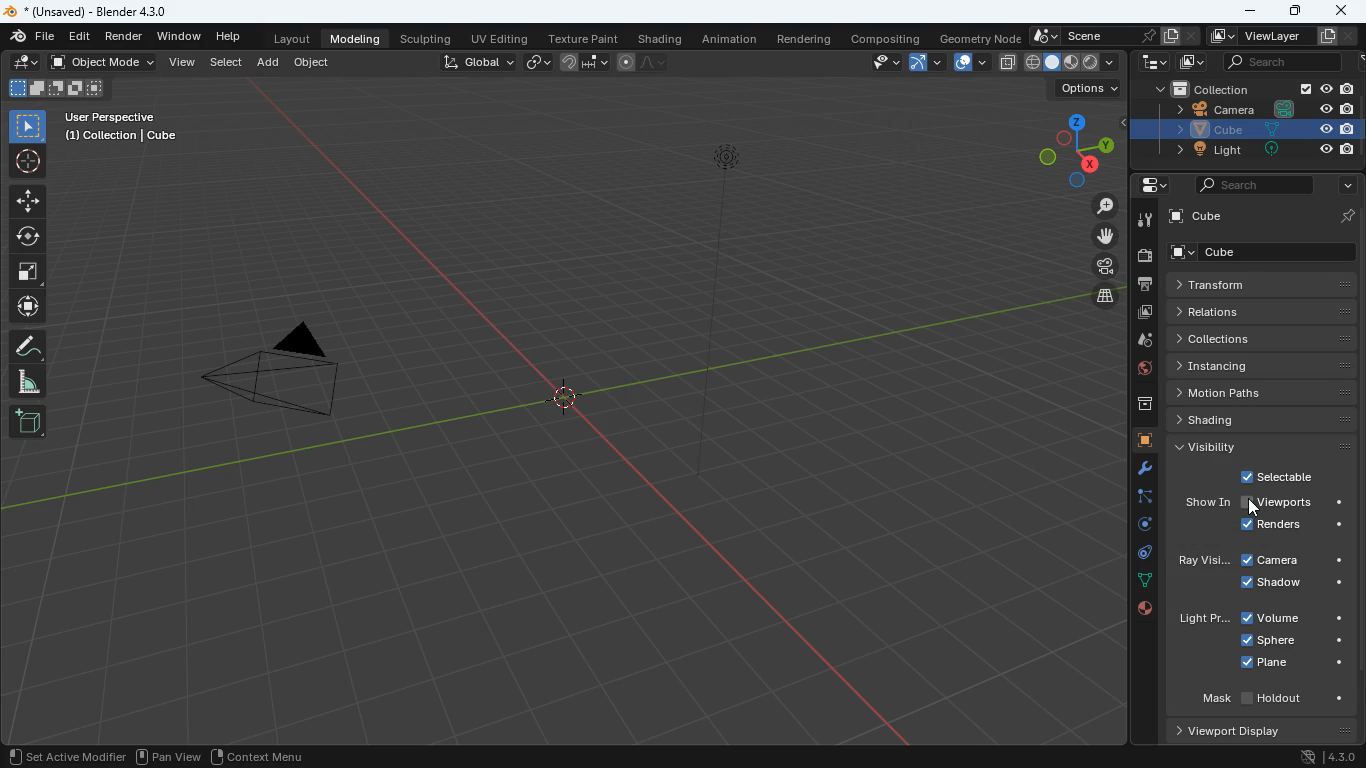  What do you see at coordinates (270, 65) in the screenshot?
I see `add` at bounding box center [270, 65].